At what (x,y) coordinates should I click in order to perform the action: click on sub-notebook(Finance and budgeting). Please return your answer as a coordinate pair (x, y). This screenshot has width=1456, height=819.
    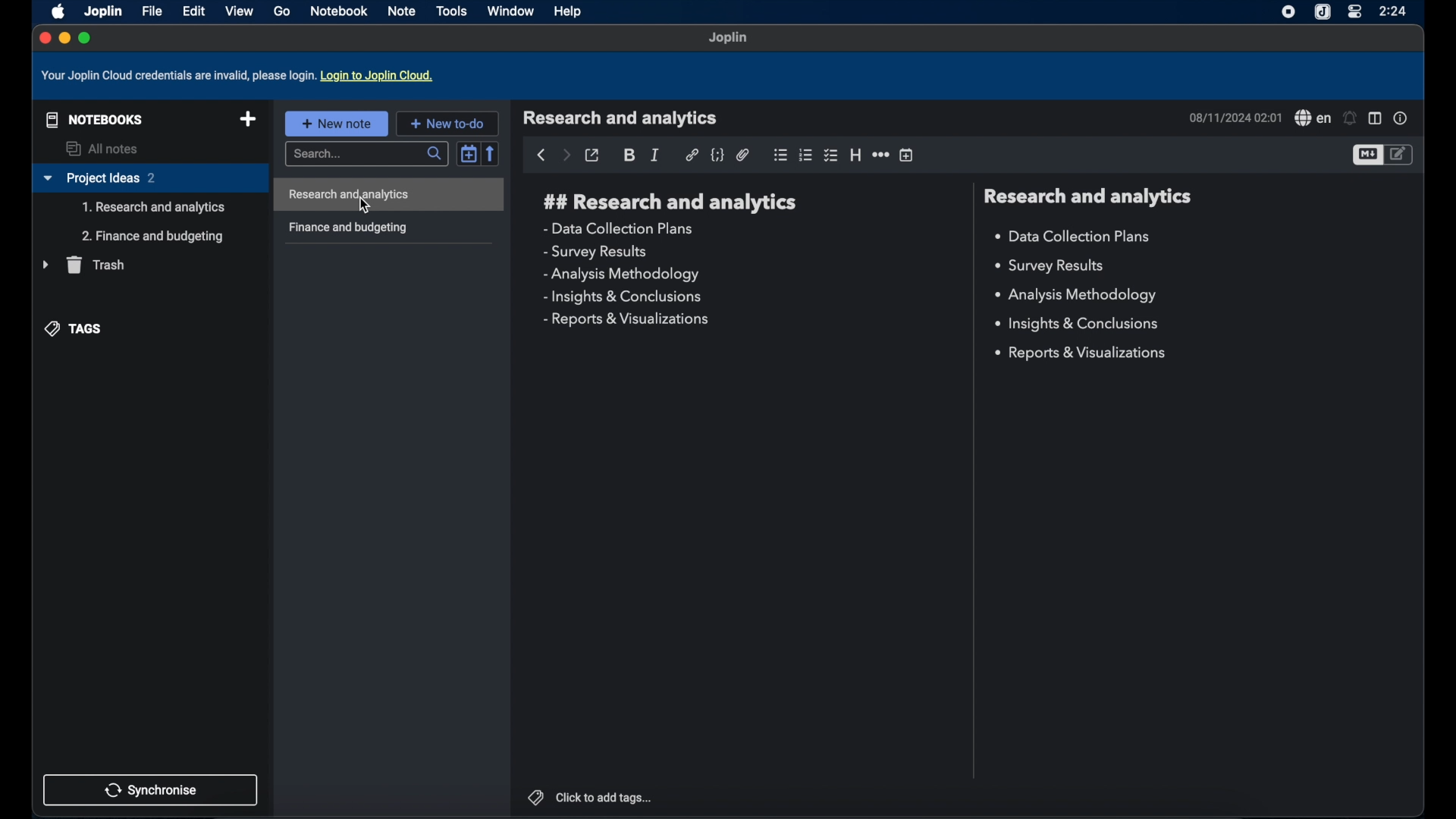
    Looking at the image, I should click on (152, 237).